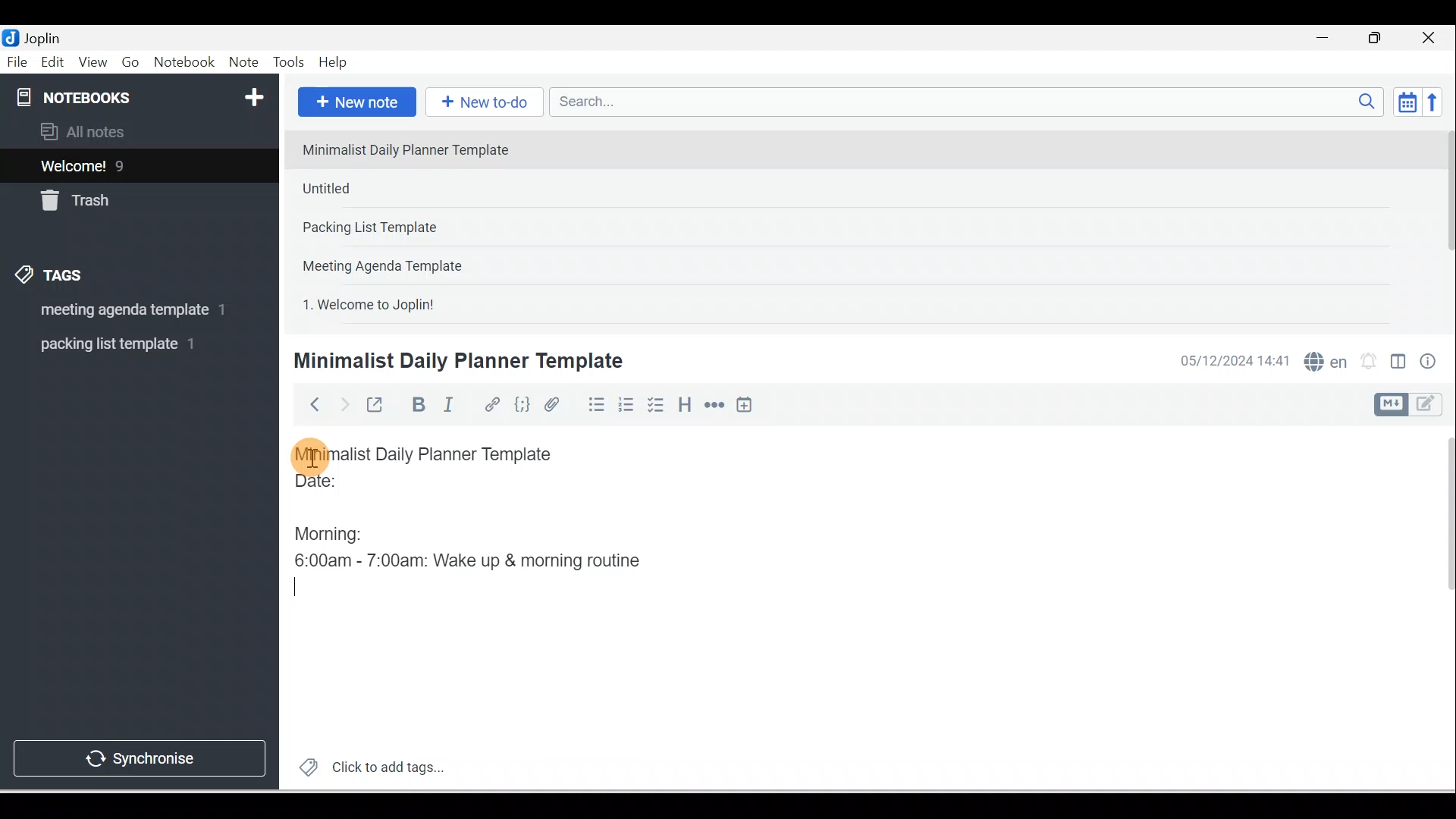 Image resolution: width=1456 pixels, height=819 pixels. What do you see at coordinates (340, 530) in the screenshot?
I see `Morning:` at bounding box center [340, 530].